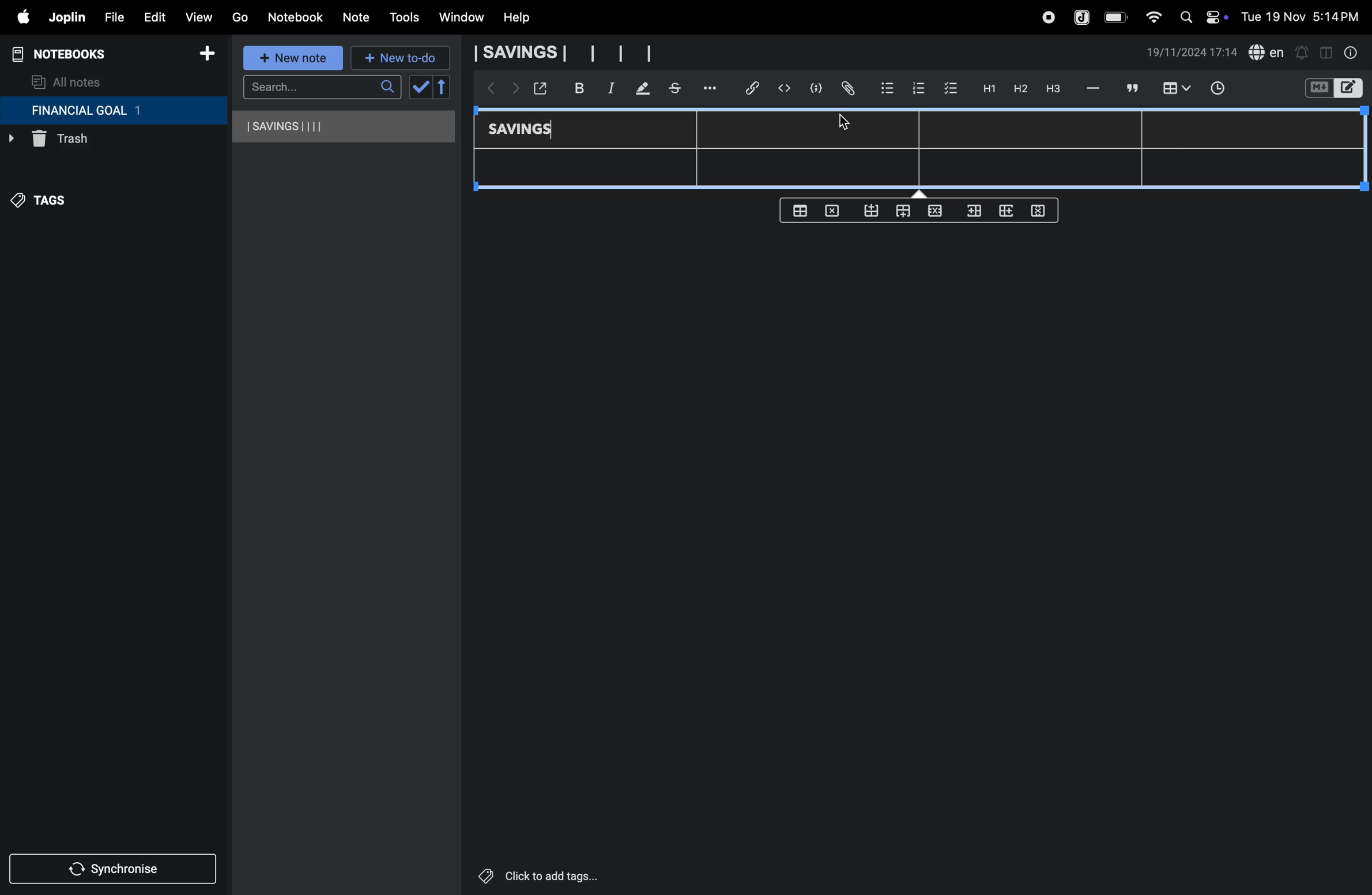 The height and width of the screenshot is (895, 1372). What do you see at coordinates (67, 81) in the screenshot?
I see `all notes` at bounding box center [67, 81].